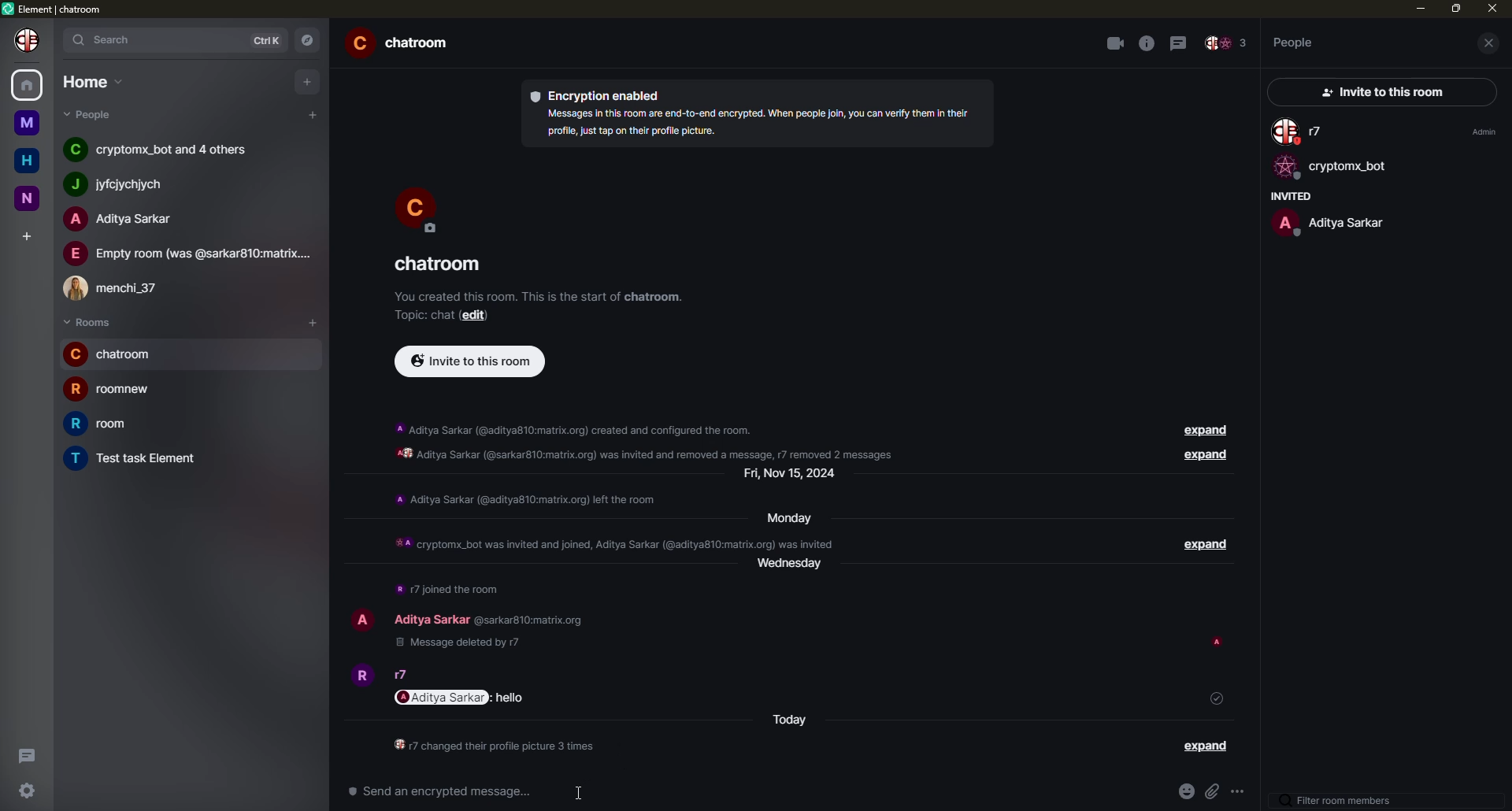 The width and height of the screenshot is (1512, 811). I want to click on profile, so click(30, 39).